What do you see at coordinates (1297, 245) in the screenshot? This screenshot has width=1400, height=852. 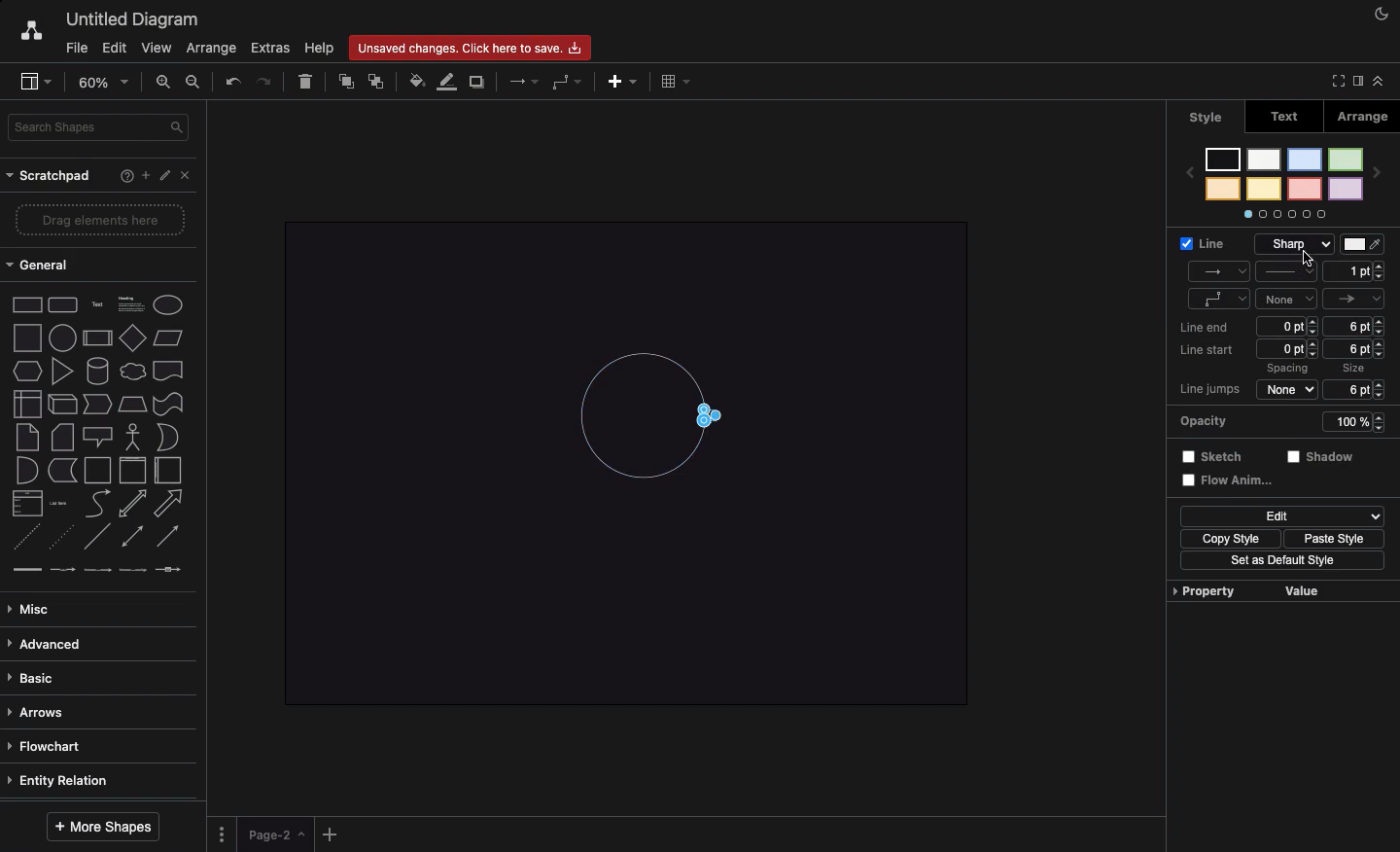 I see `Sharp` at bounding box center [1297, 245].